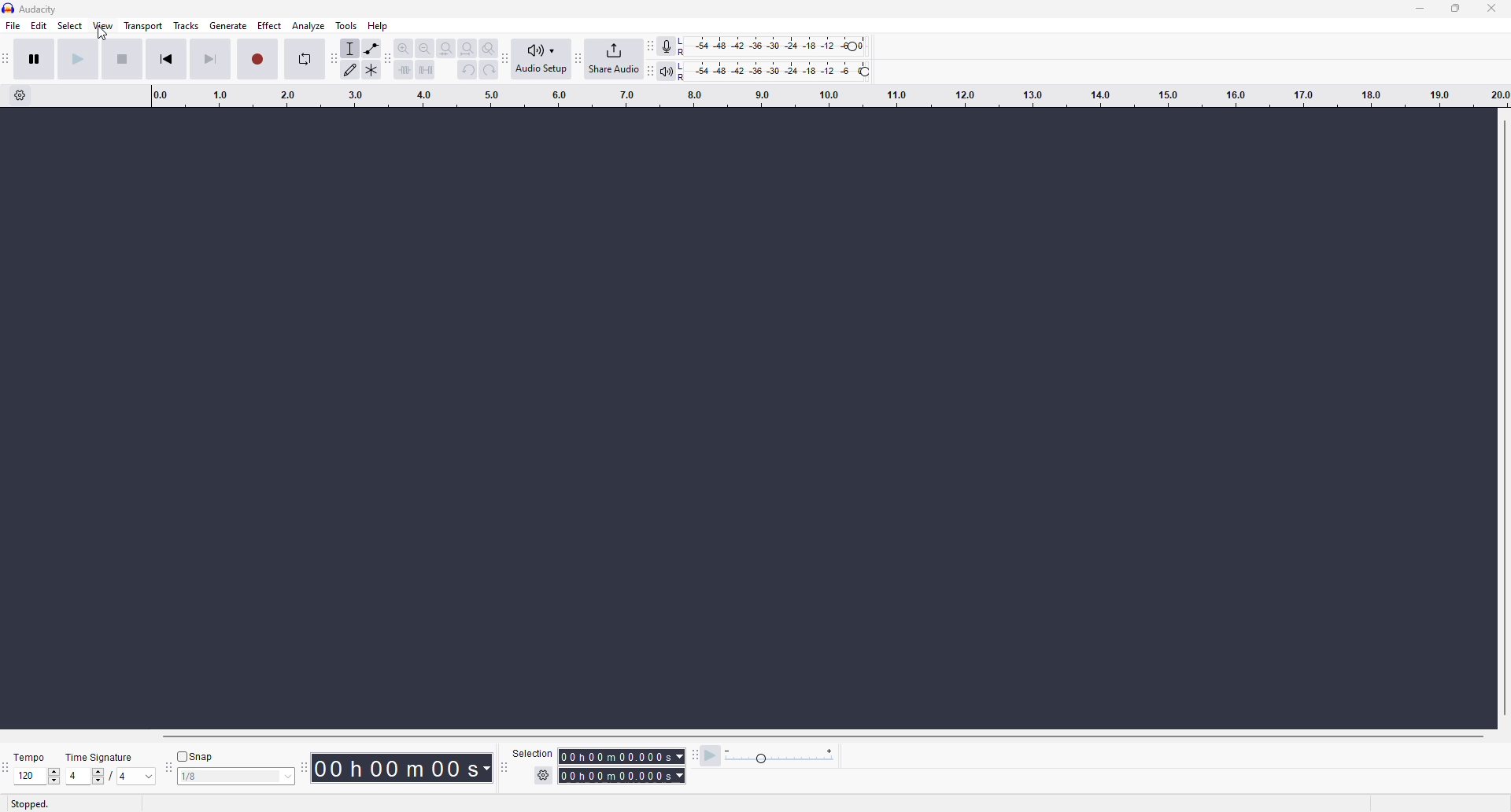 This screenshot has height=812, width=1511. Describe the element at coordinates (133, 777) in the screenshot. I see `values` at that location.